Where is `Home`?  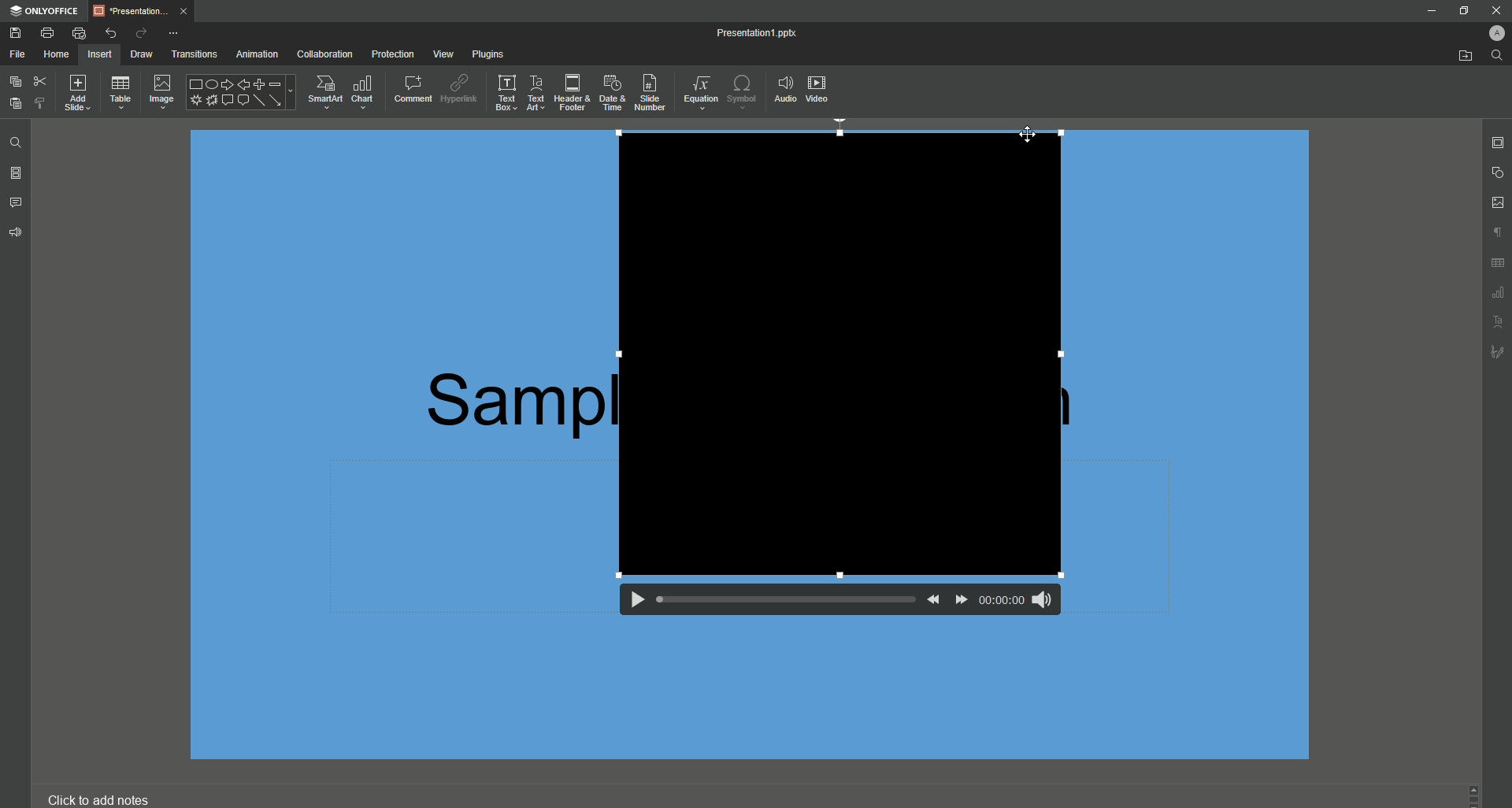 Home is located at coordinates (57, 55).